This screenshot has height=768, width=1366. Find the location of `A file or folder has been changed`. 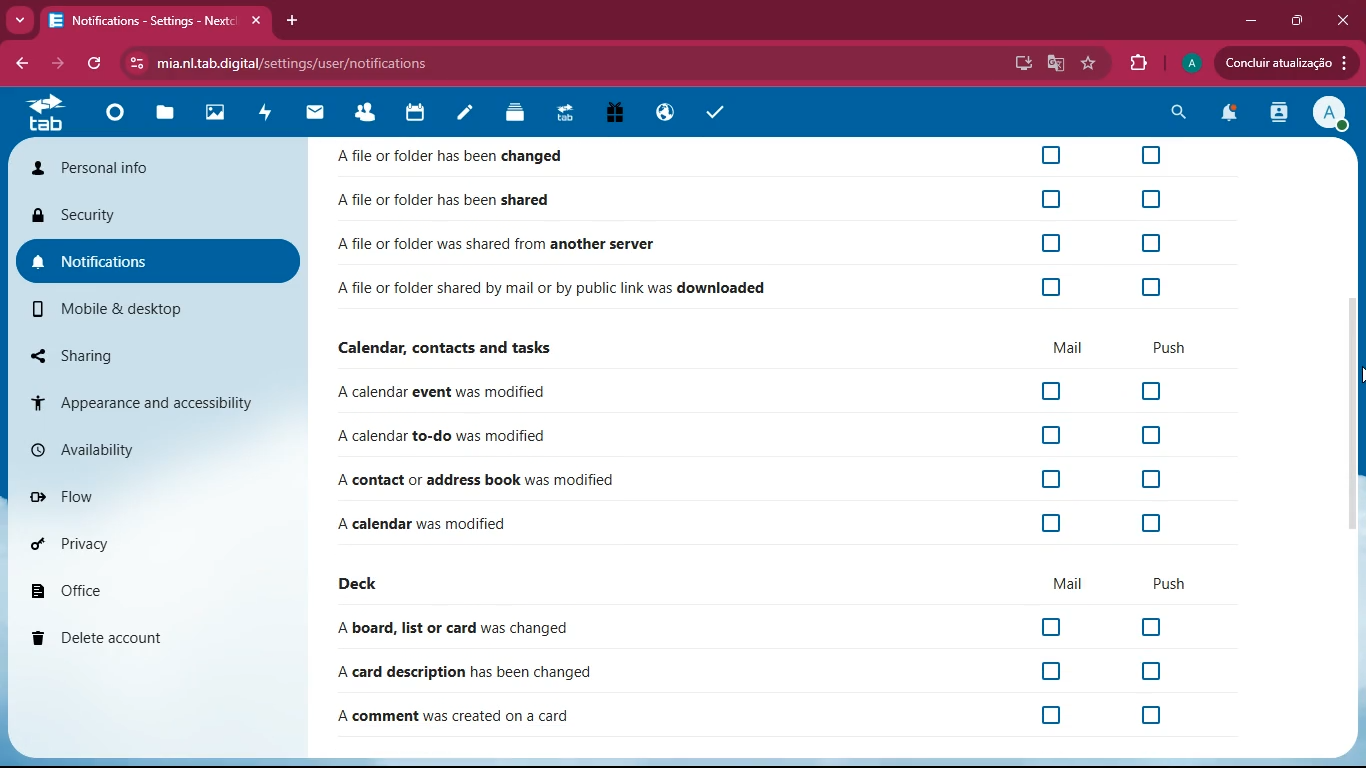

A file or folder has been changed is located at coordinates (458, 155).